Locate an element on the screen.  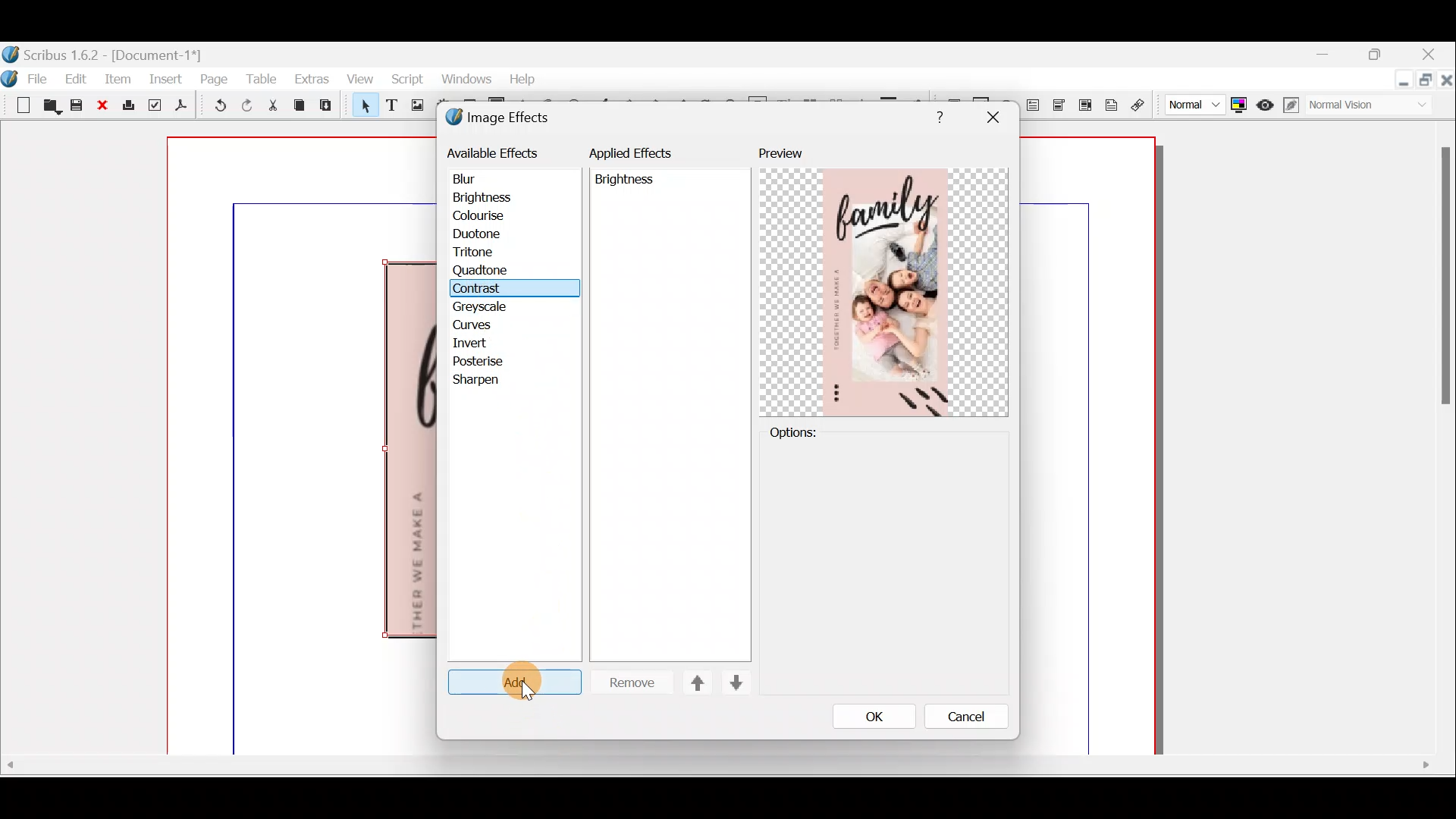
Sharpen is located at coordinates (484, 381).